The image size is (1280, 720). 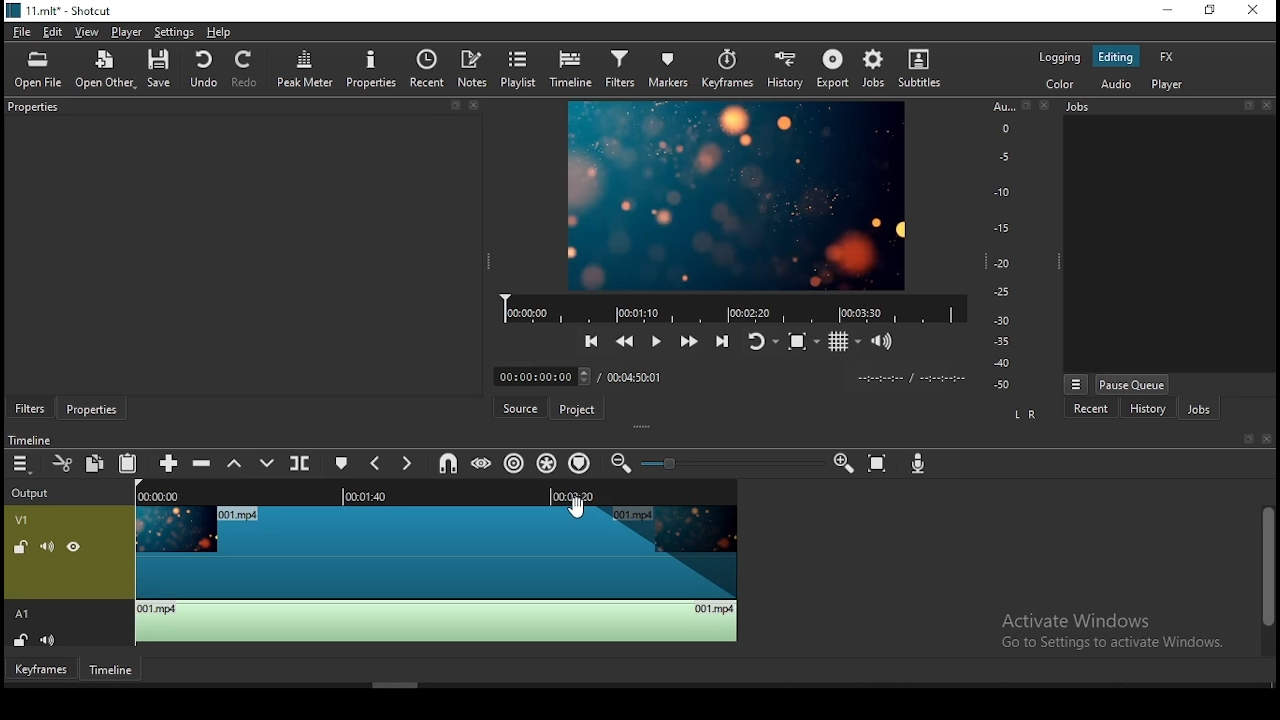 I want to click on subtitles, so click(x=921, y=73).